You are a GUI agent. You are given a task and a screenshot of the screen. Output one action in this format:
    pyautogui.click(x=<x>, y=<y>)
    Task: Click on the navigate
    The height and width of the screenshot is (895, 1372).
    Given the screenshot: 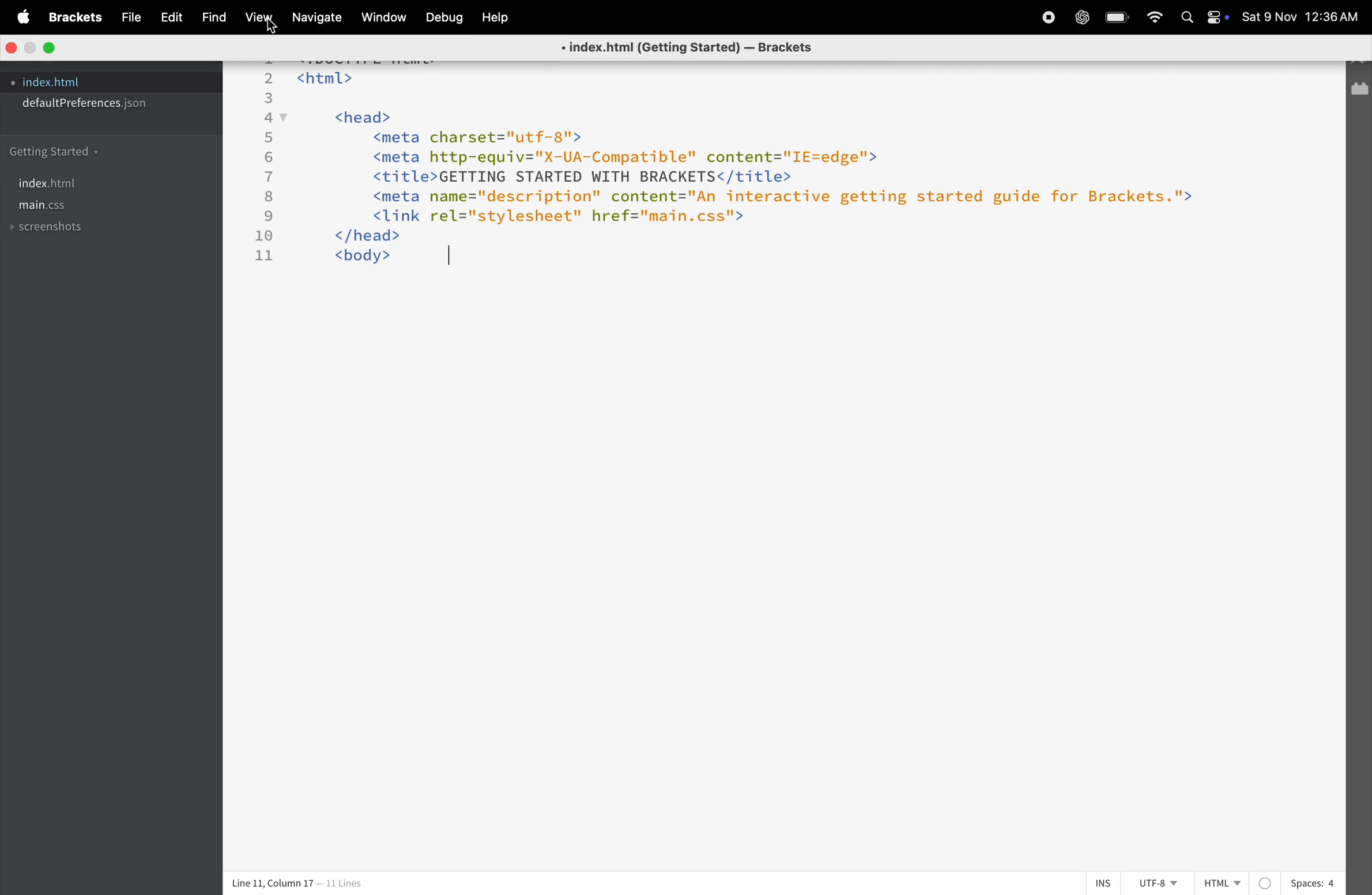 What is the action you would take?
    pyautogui.click(x=321, y=20)
    